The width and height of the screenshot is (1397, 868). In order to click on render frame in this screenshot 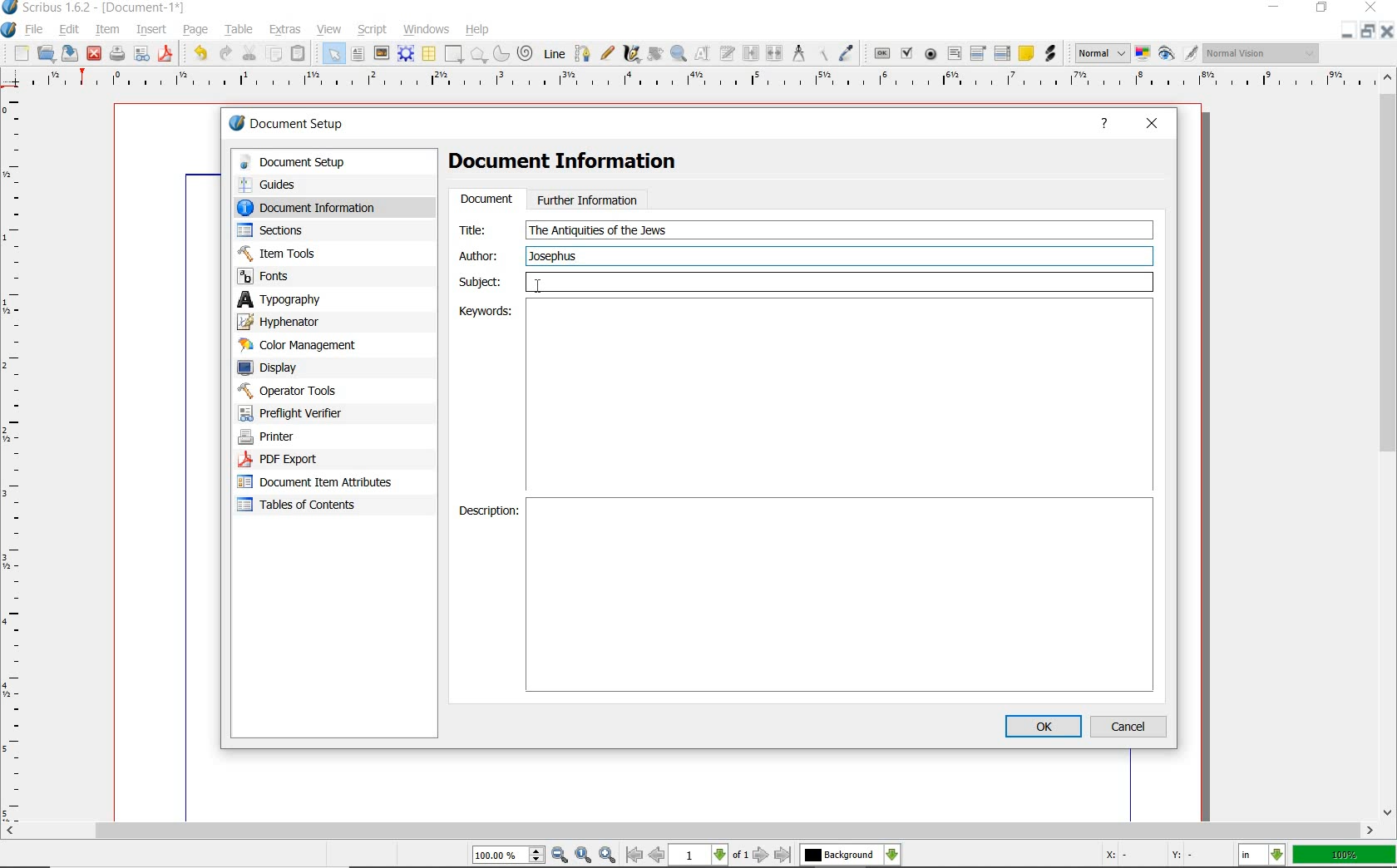, I will do `click(406, 54)`.